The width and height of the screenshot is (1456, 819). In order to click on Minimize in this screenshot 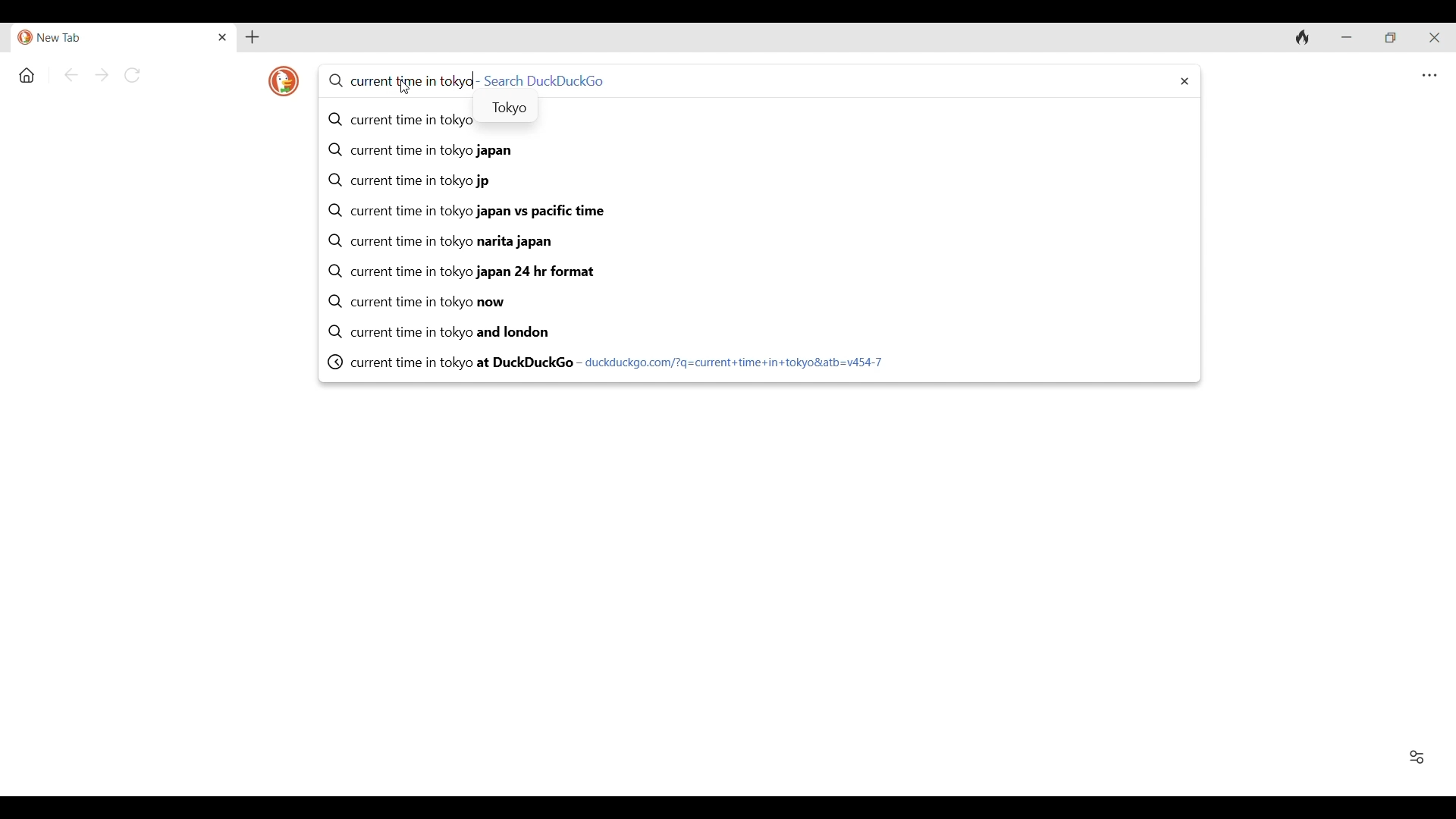, I will do `click(1347, 37)`.